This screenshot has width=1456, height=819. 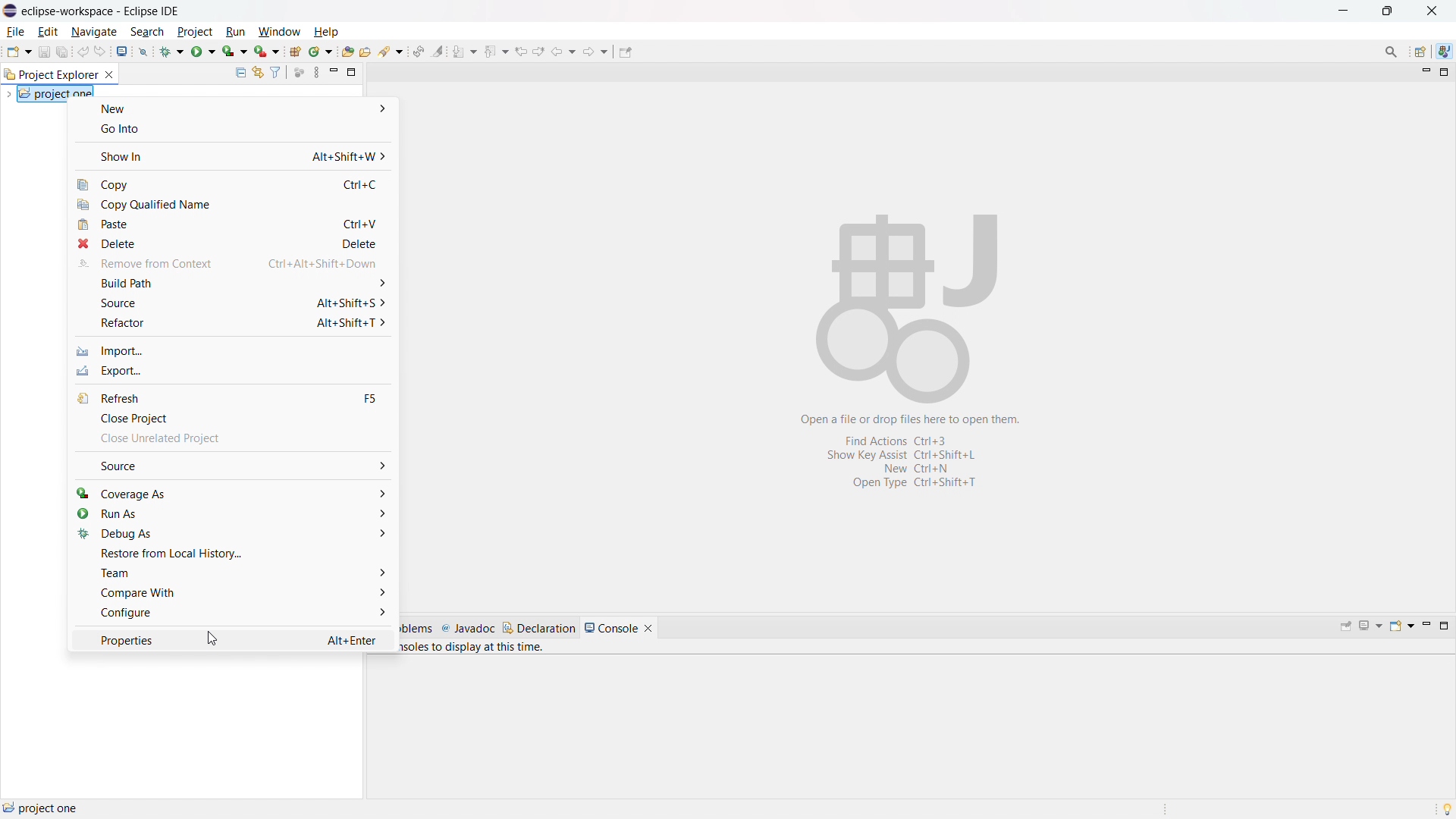 I want to click on open type, so click(x=348, y=51).